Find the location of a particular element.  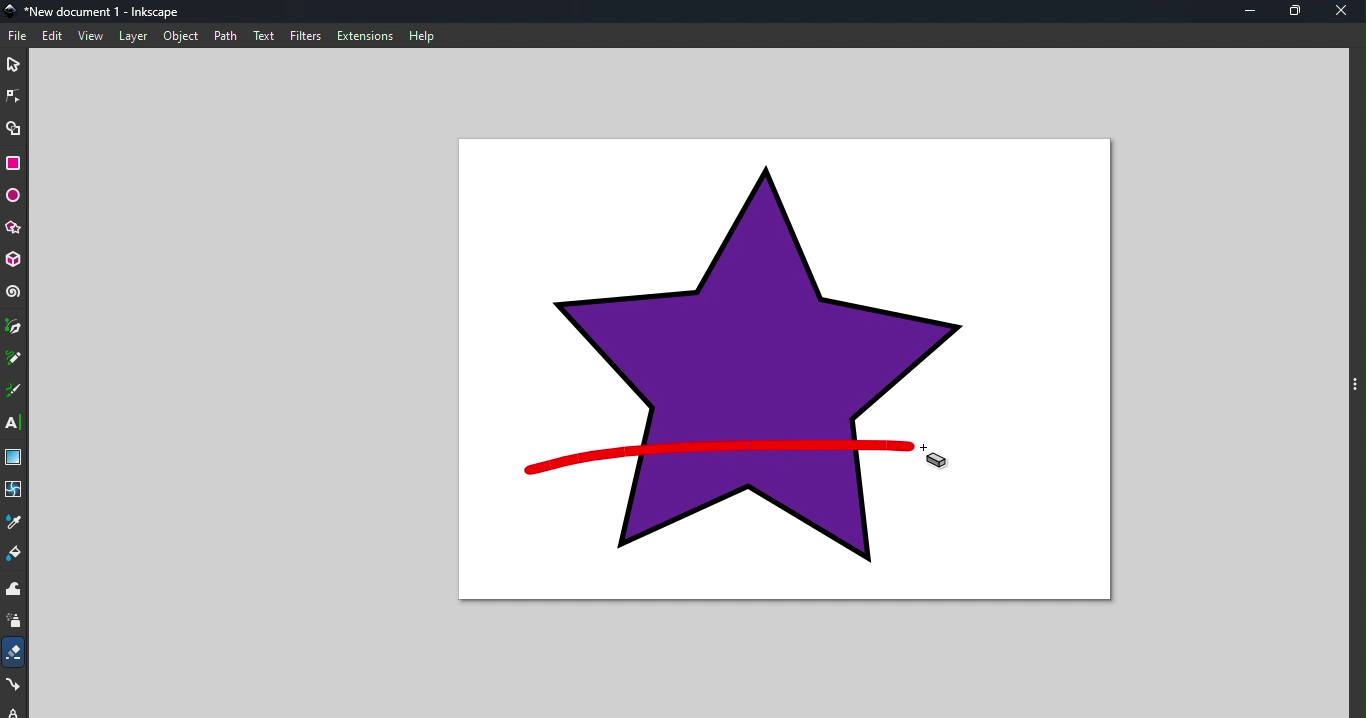

object is located at coordinates (181, 35).